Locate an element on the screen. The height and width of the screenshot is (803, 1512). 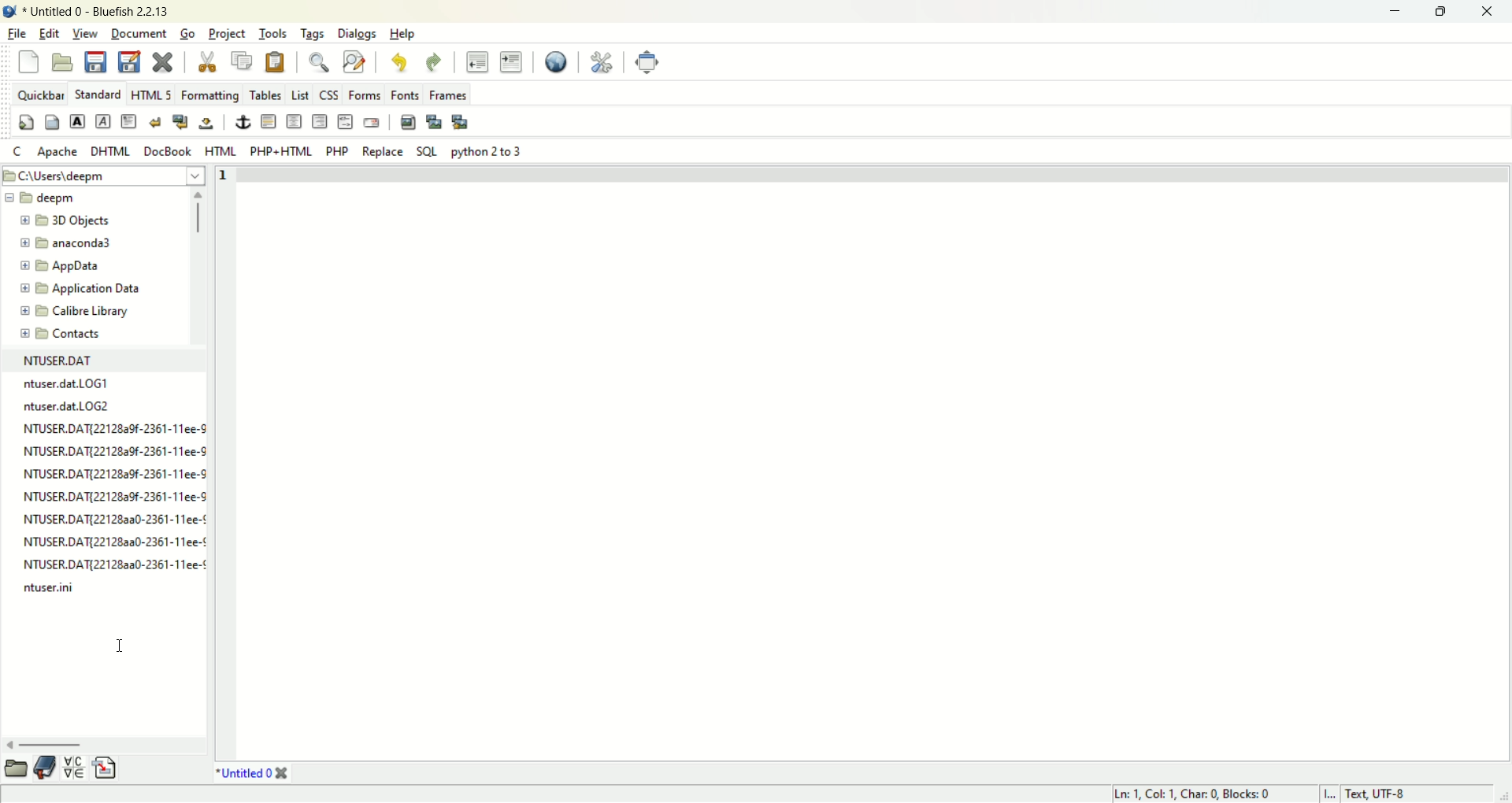
snippets is located at coordinates (106, 768).